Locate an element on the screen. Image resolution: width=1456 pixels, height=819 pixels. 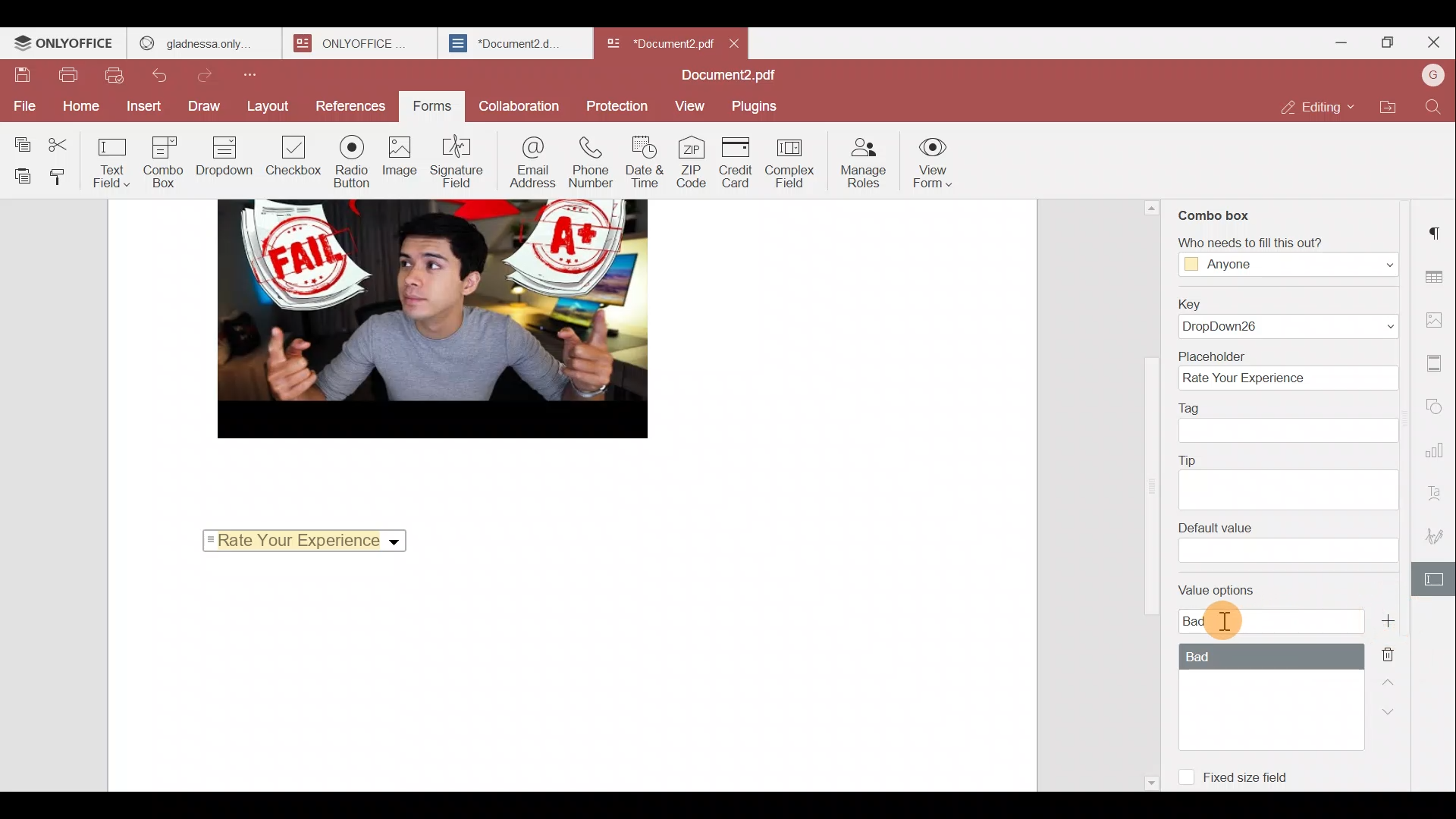
Insert is located at coordinates (140, 106).